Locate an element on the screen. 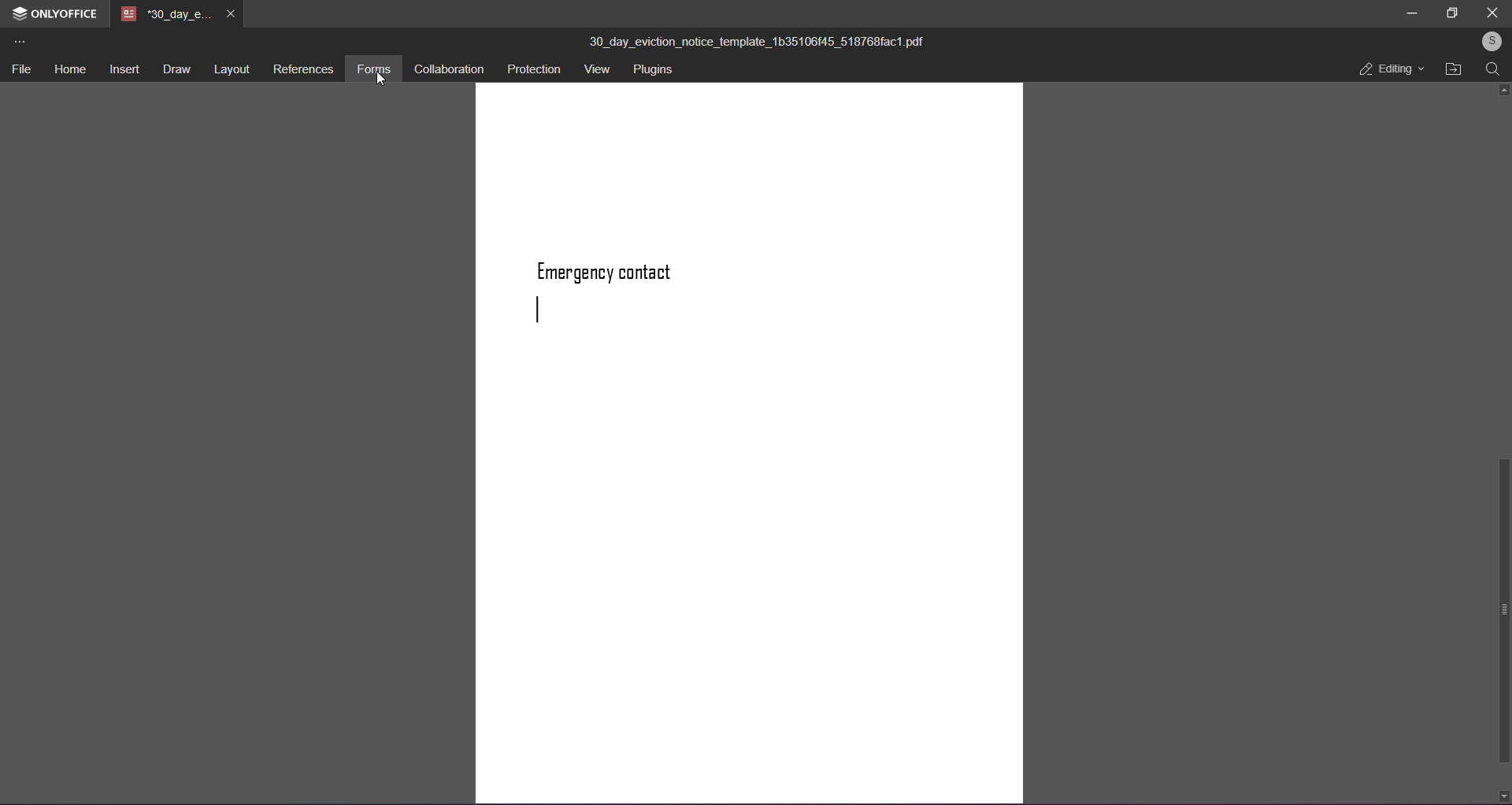  references is located at coordinates (302, 71).